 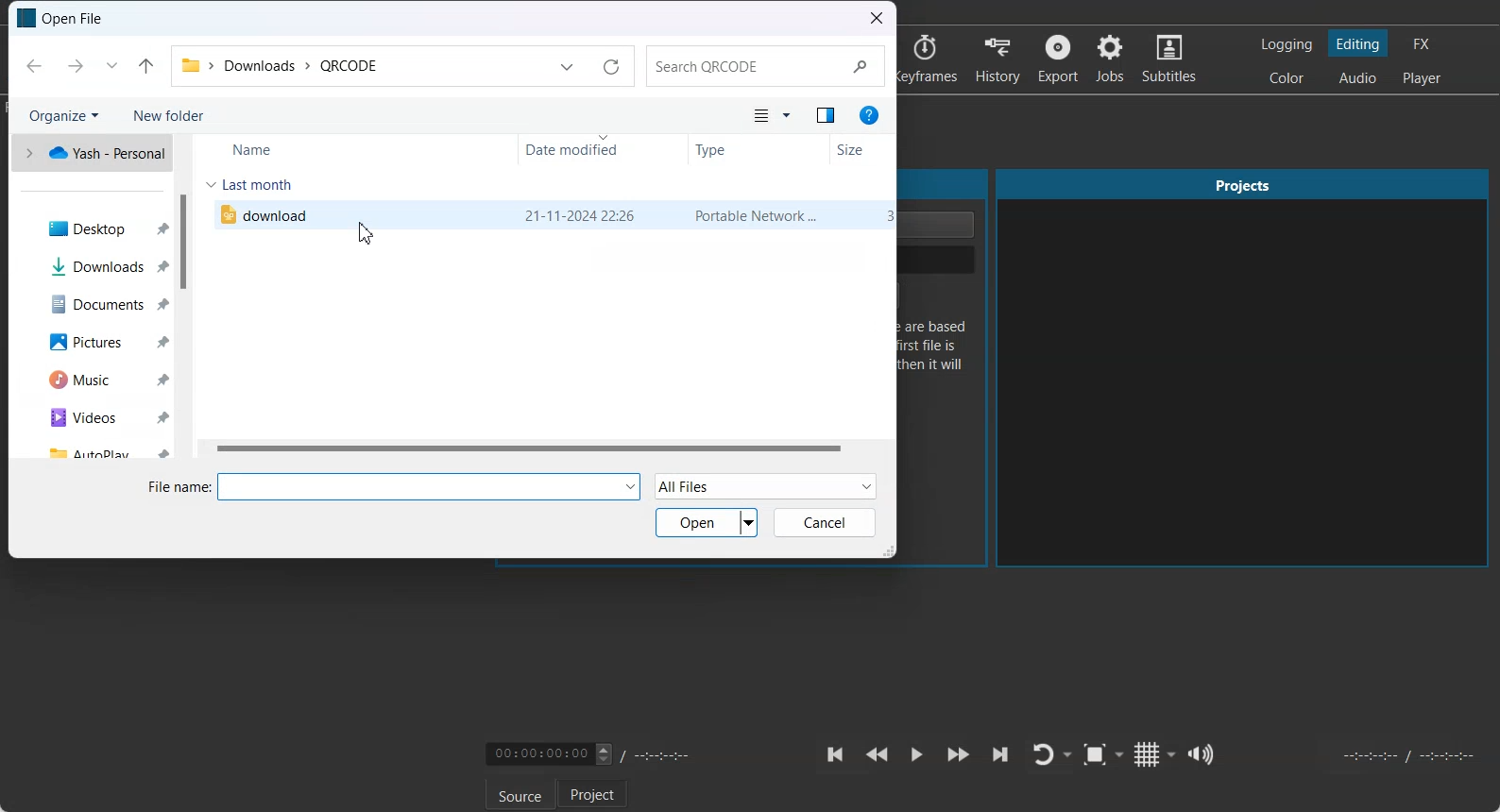 What do you see at coordinates (91, 342) in the screenshot?
I see `Pictures` at bounding box center [91, 342].